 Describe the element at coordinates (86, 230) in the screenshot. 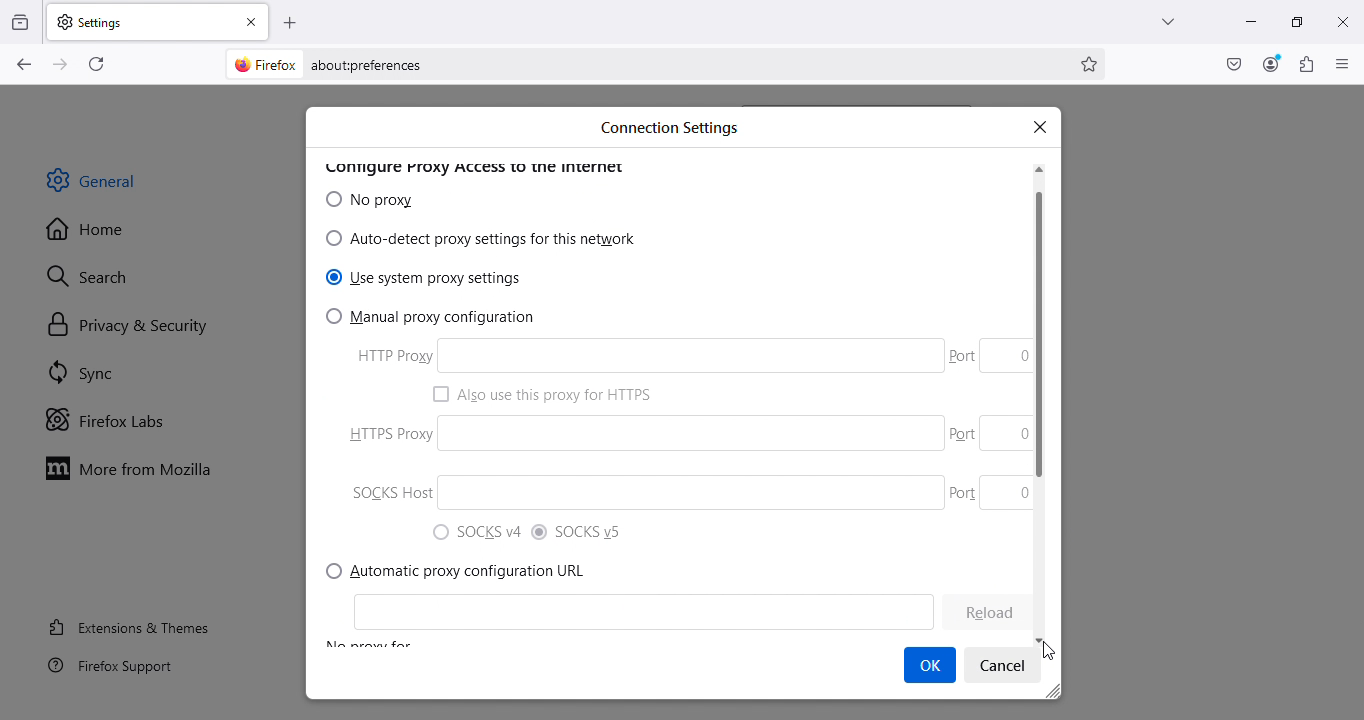

I see `Home` at that location.